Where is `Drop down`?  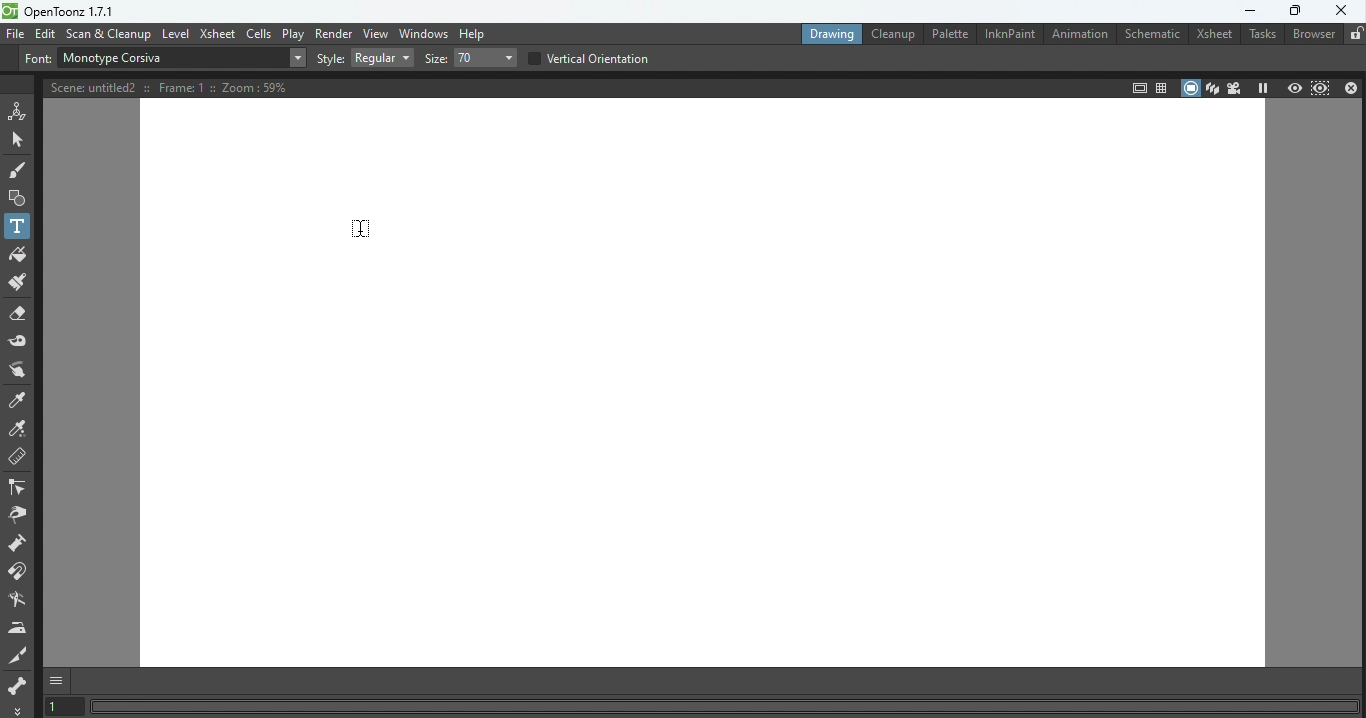
Drop down is located at coordinates (295, 57).